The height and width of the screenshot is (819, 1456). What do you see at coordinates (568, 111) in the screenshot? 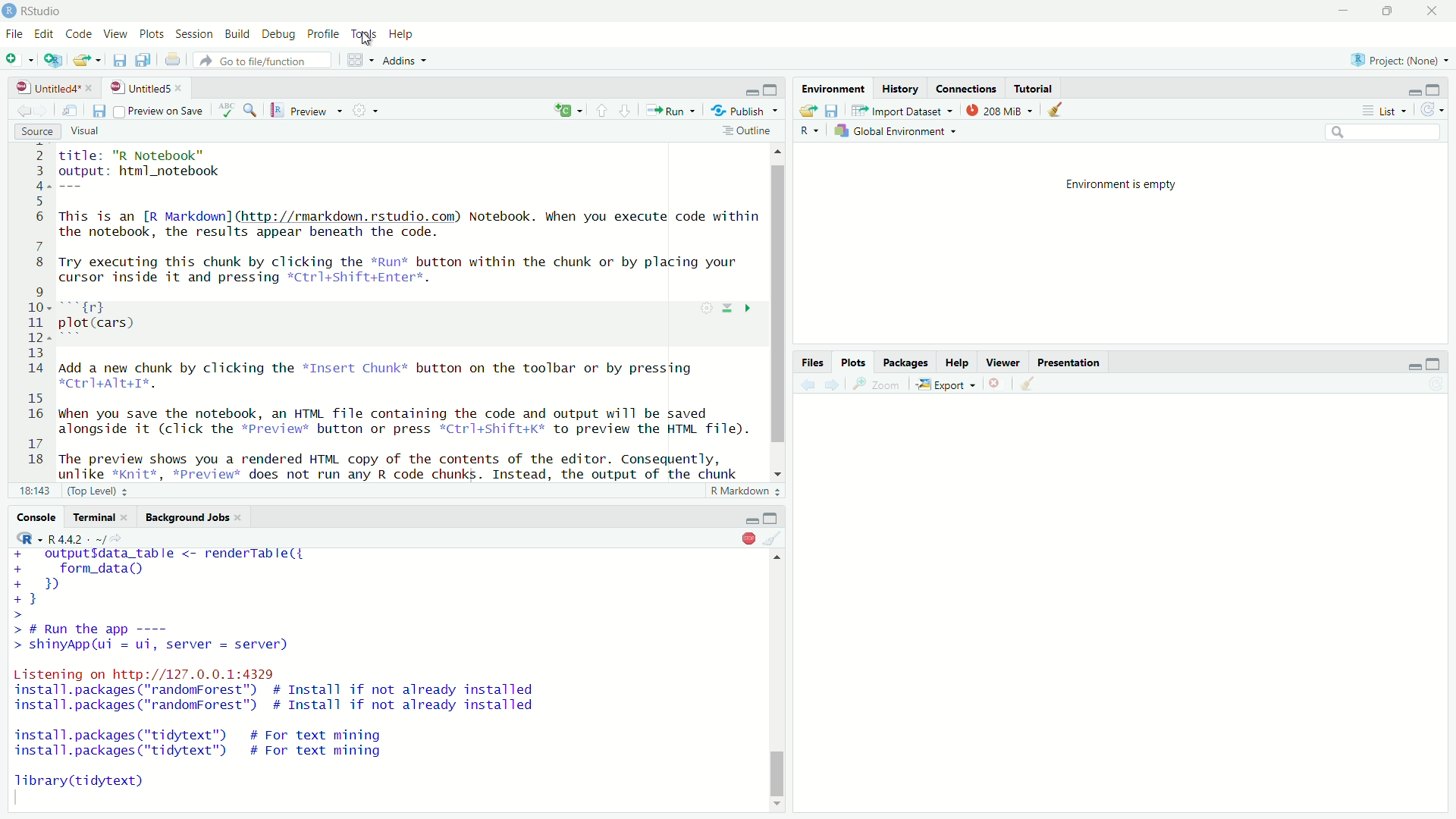
I see `C Add menu` at bounding box center [568, 111].